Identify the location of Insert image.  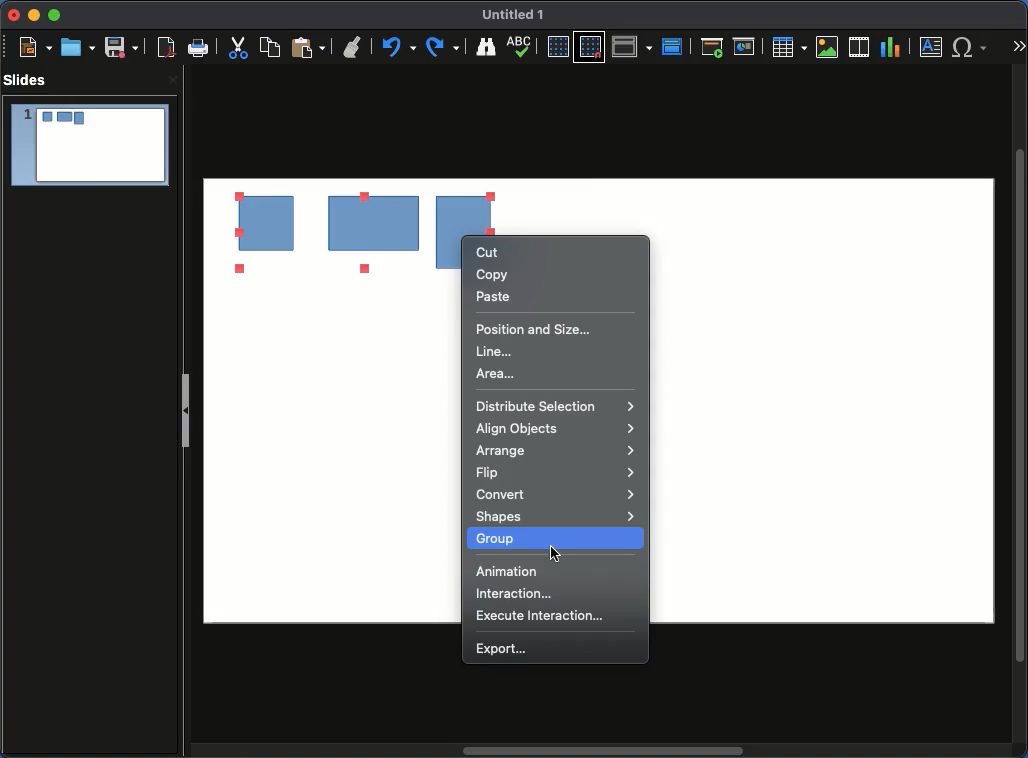
(827, 47).